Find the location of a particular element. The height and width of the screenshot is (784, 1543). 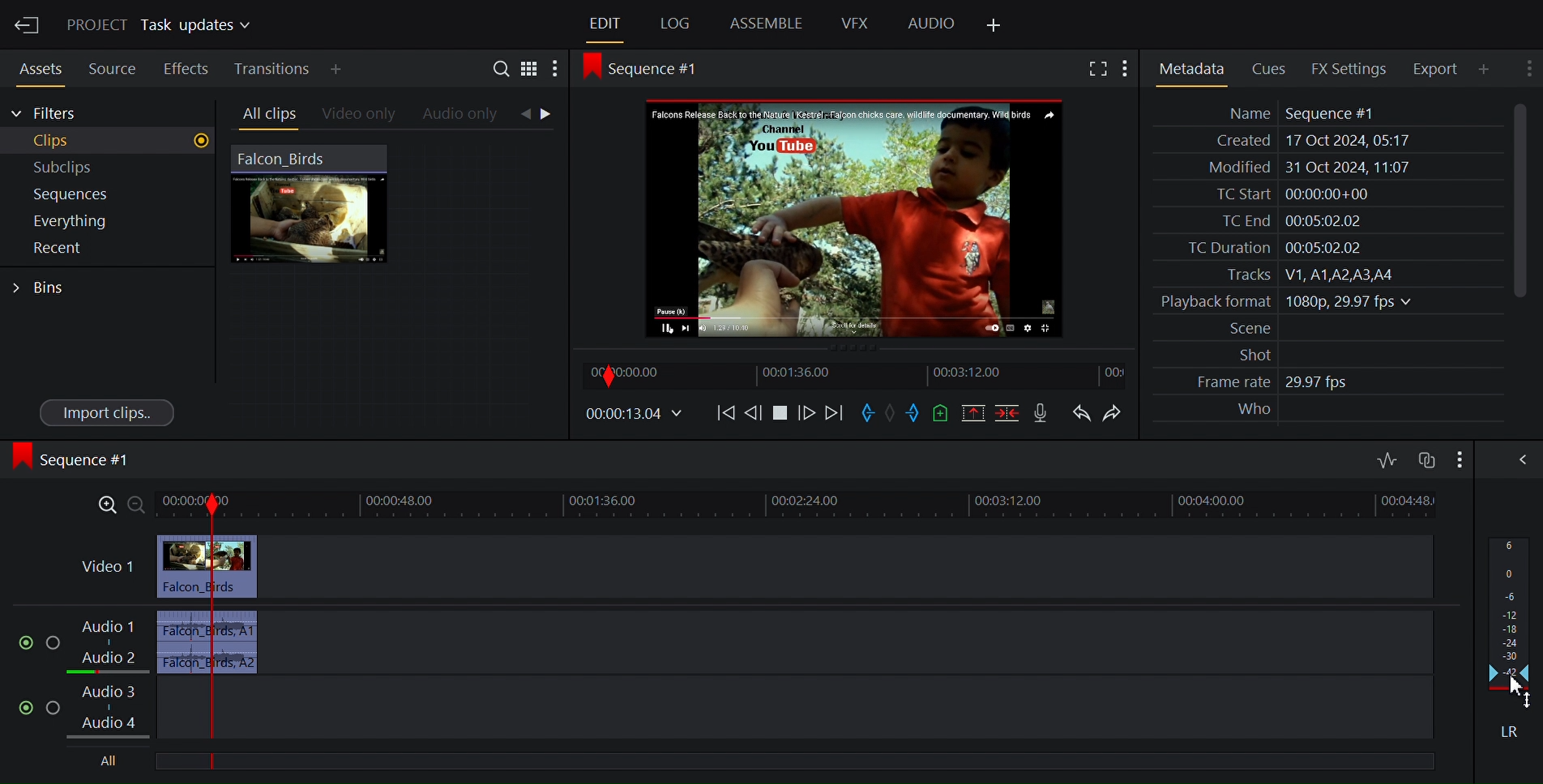

Audio only is located at coordinates (464, 115).